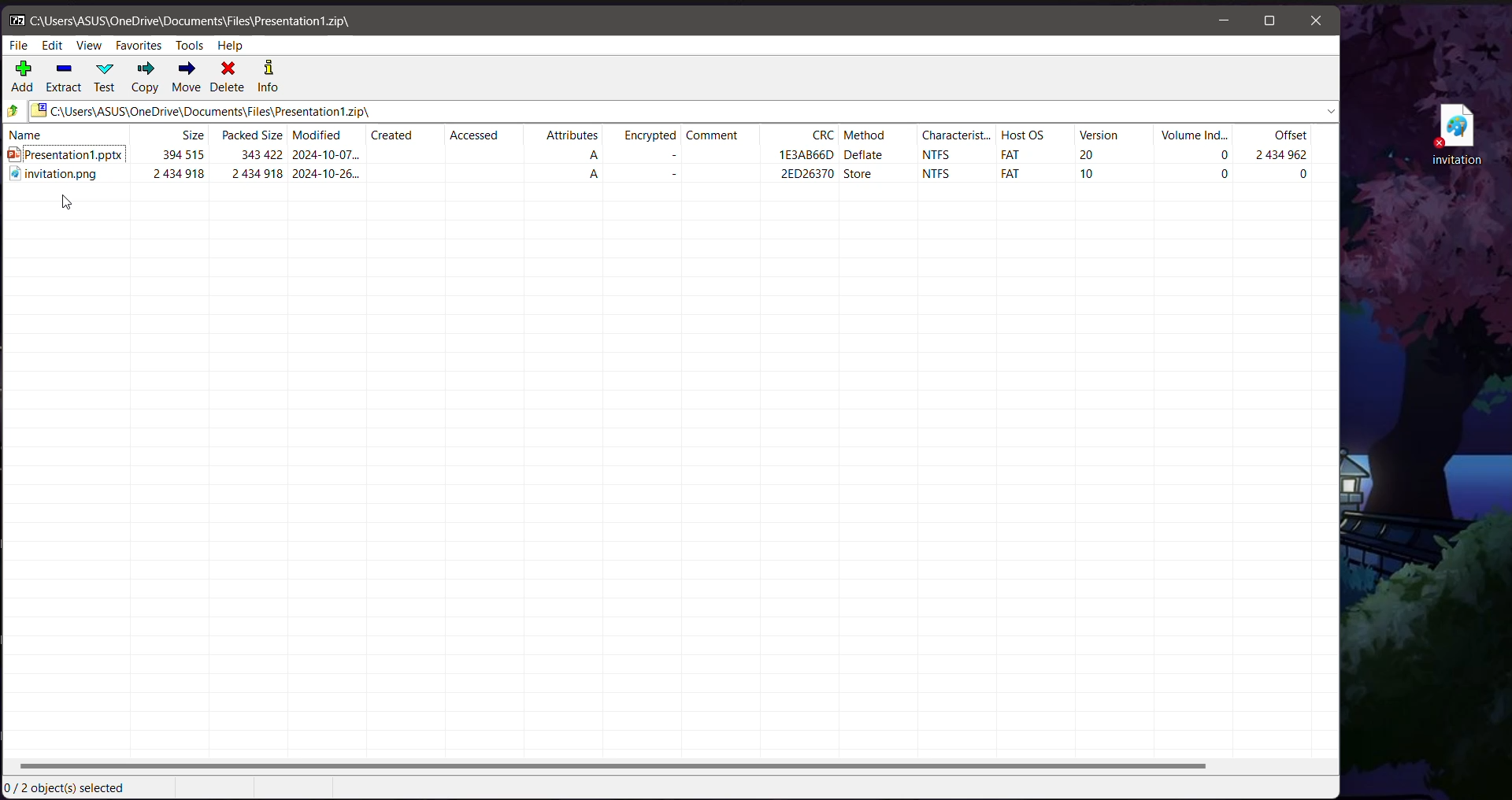 The height and width of the screenshot is (800, 1512). Describe the element at coordinates (1315, 22) in the screenshot. I see `Close` at that location.